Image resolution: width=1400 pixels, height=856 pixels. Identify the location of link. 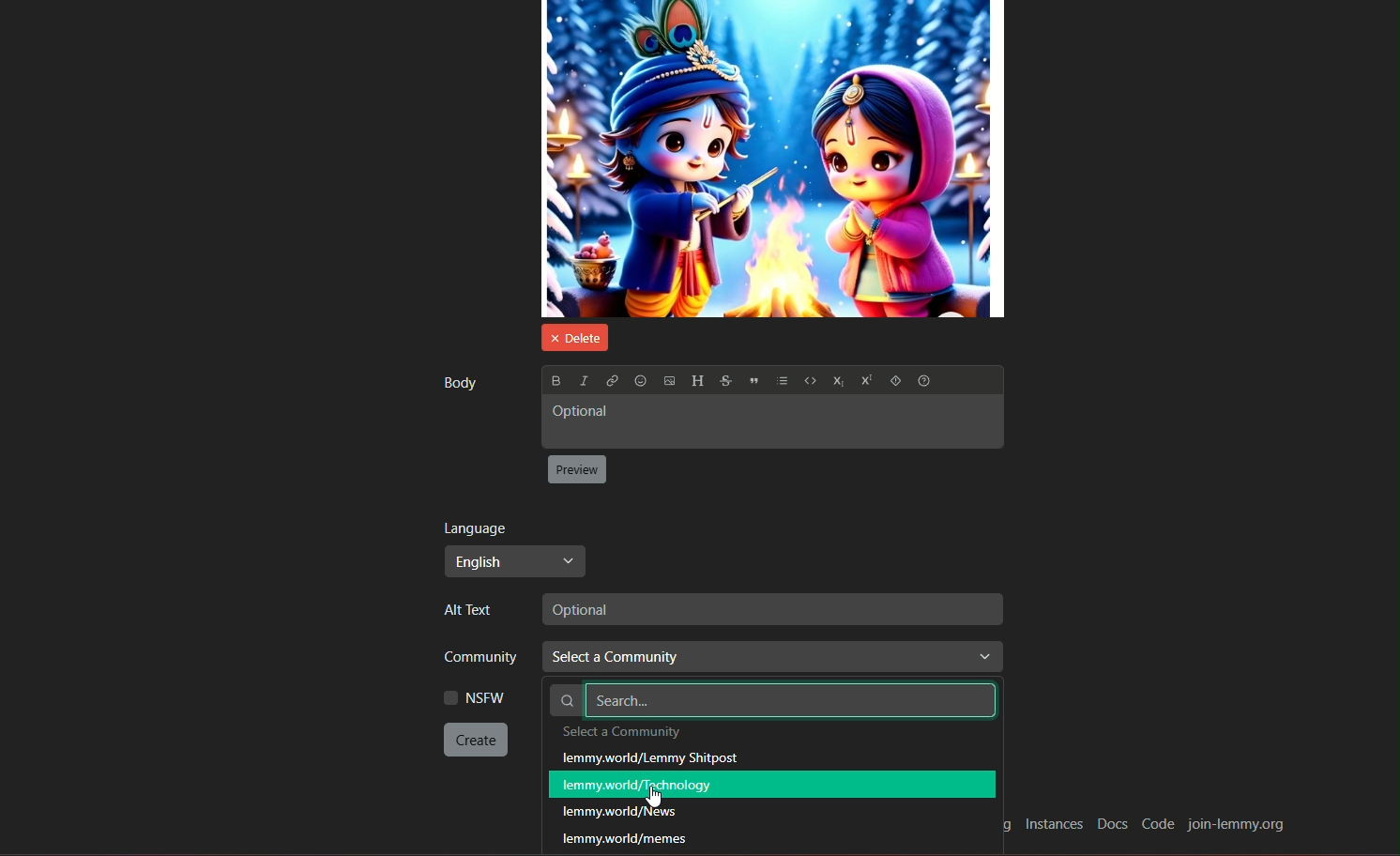
(611, 381).